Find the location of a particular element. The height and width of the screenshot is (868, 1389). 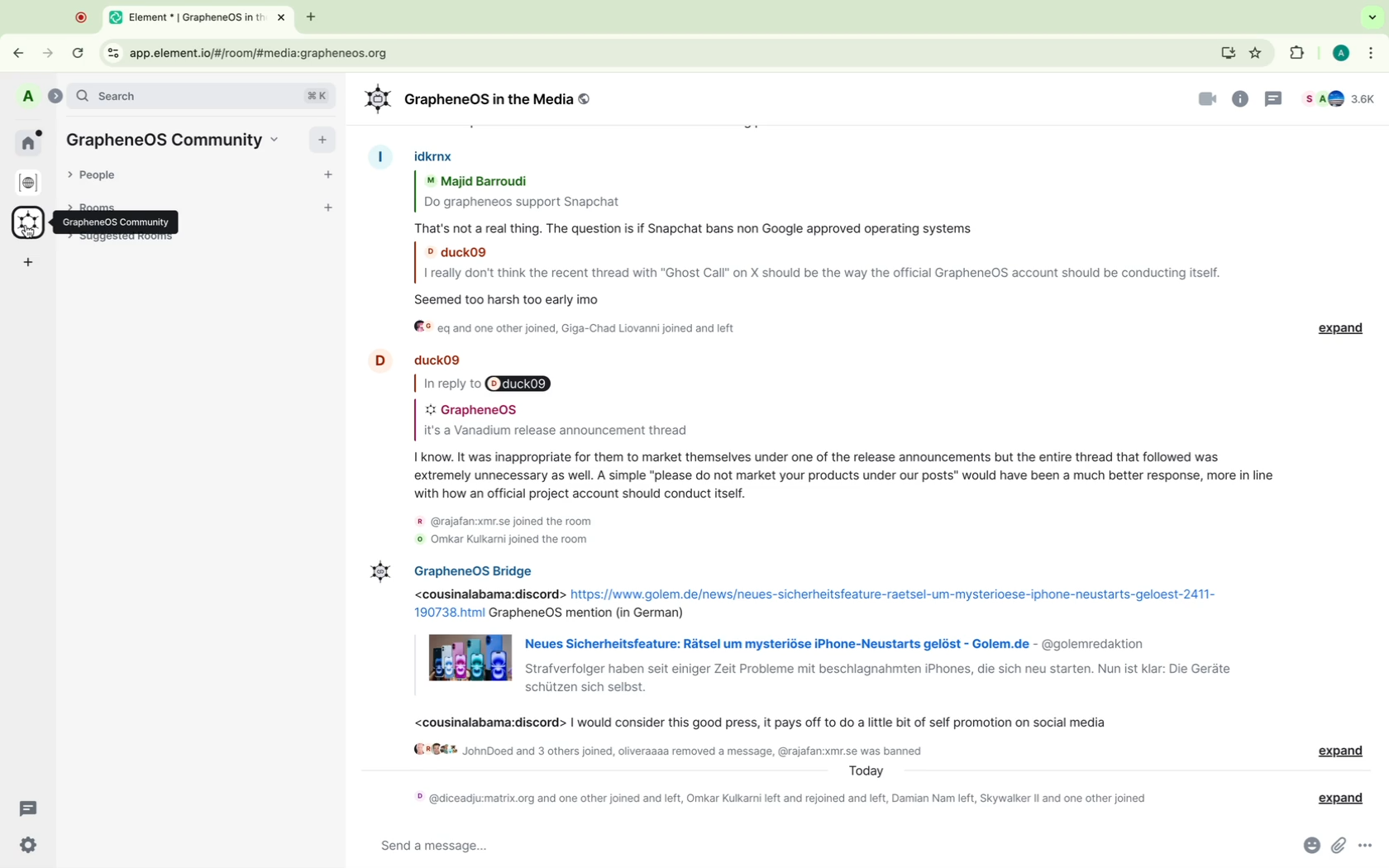

Majid Berroudi is located at coordinates (481, 182).